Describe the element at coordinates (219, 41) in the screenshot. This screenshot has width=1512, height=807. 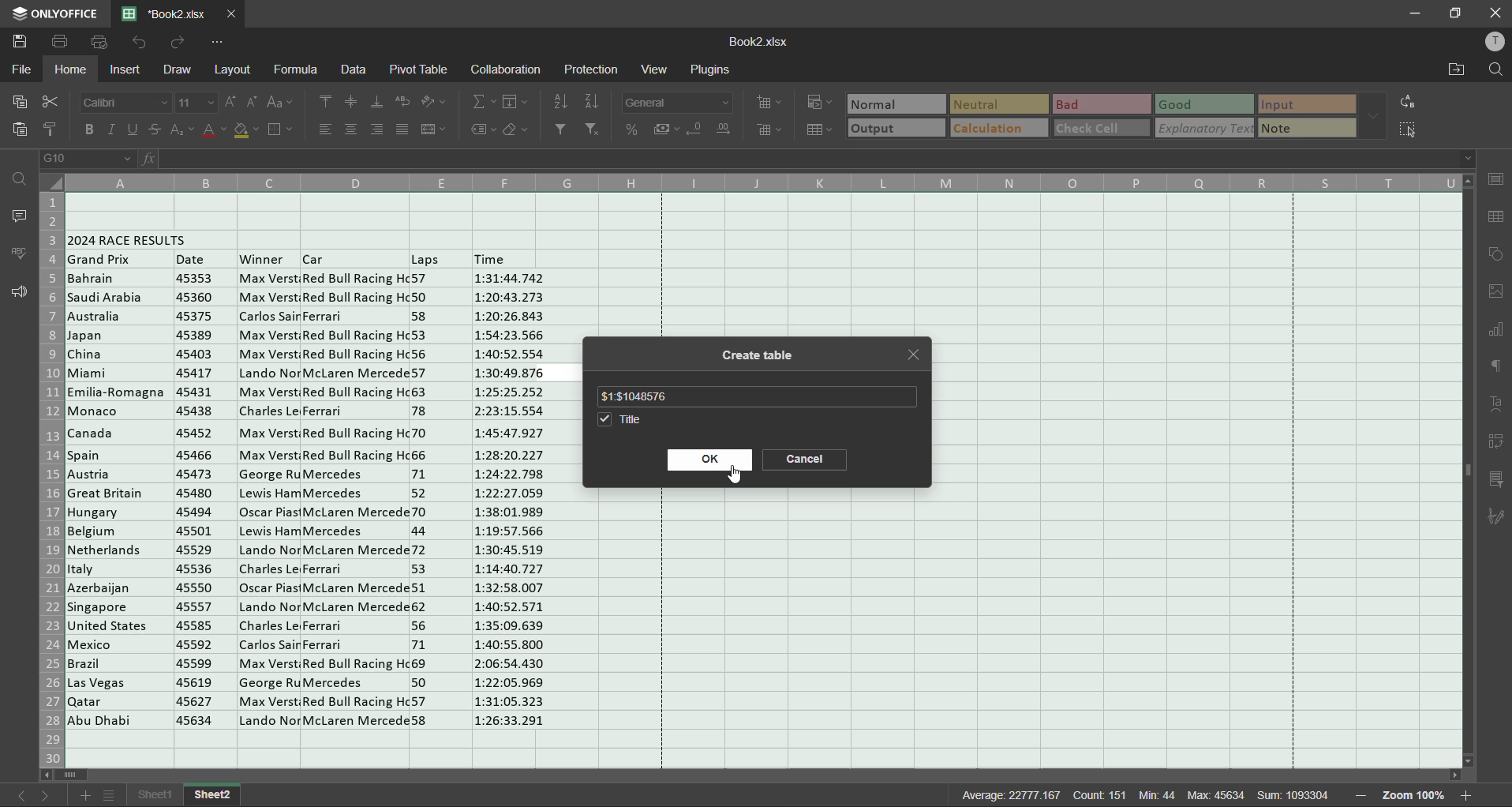
I see `customize quick access toolbar` at that location.